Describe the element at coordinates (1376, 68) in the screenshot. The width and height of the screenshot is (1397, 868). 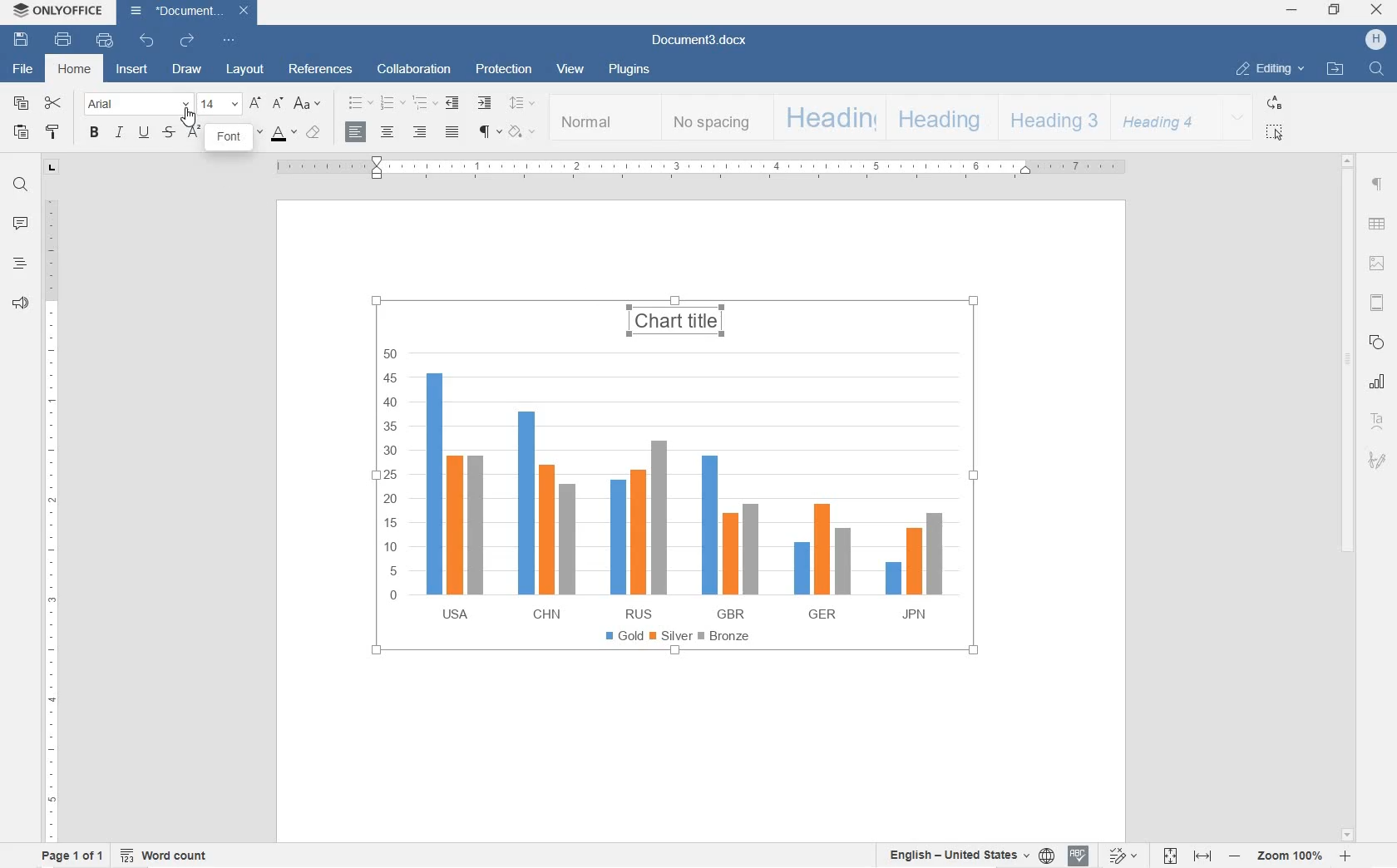
I see `FIND` at that location.